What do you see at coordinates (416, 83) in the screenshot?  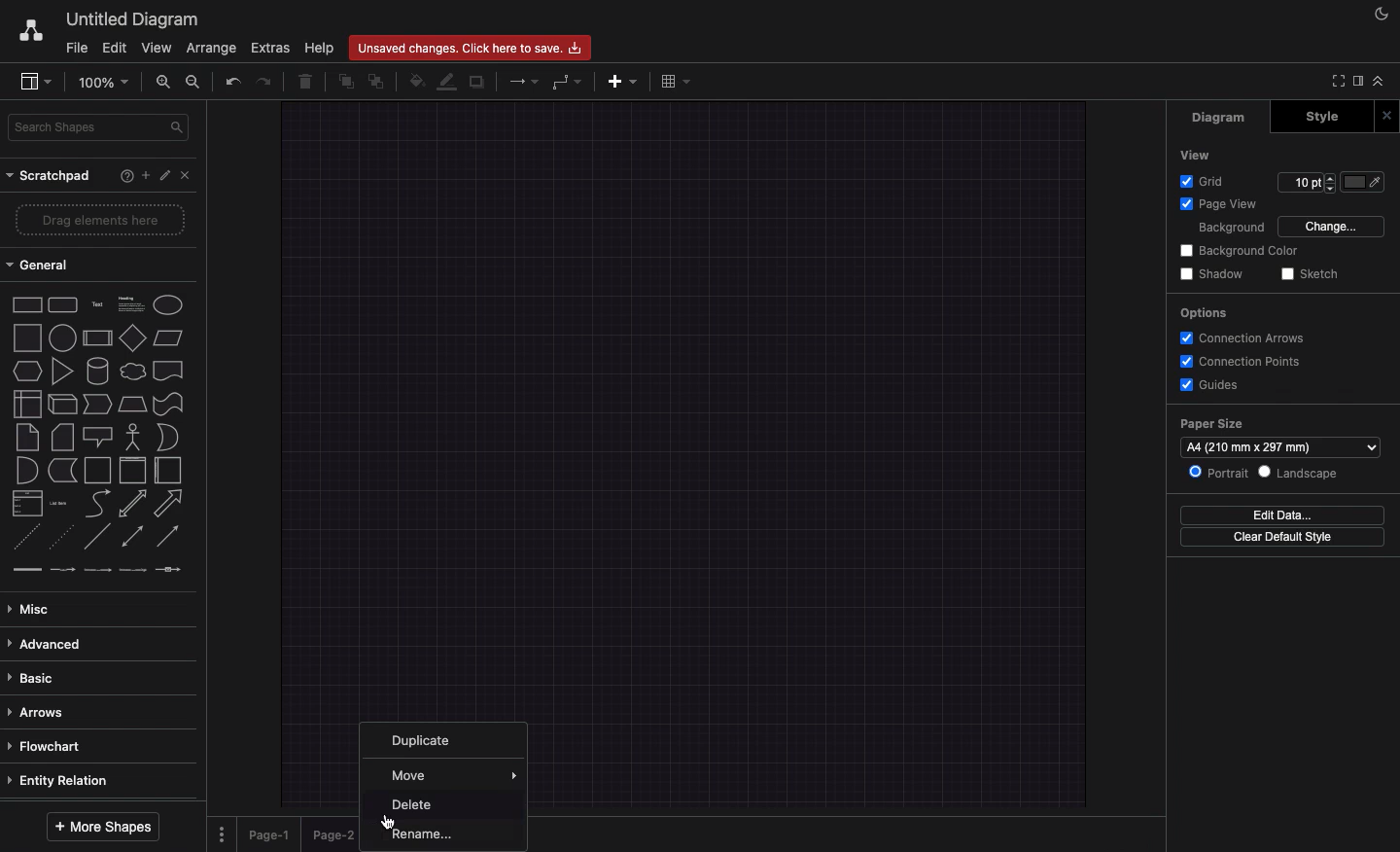 I see `Fill color` at bounding box center [416, 83].